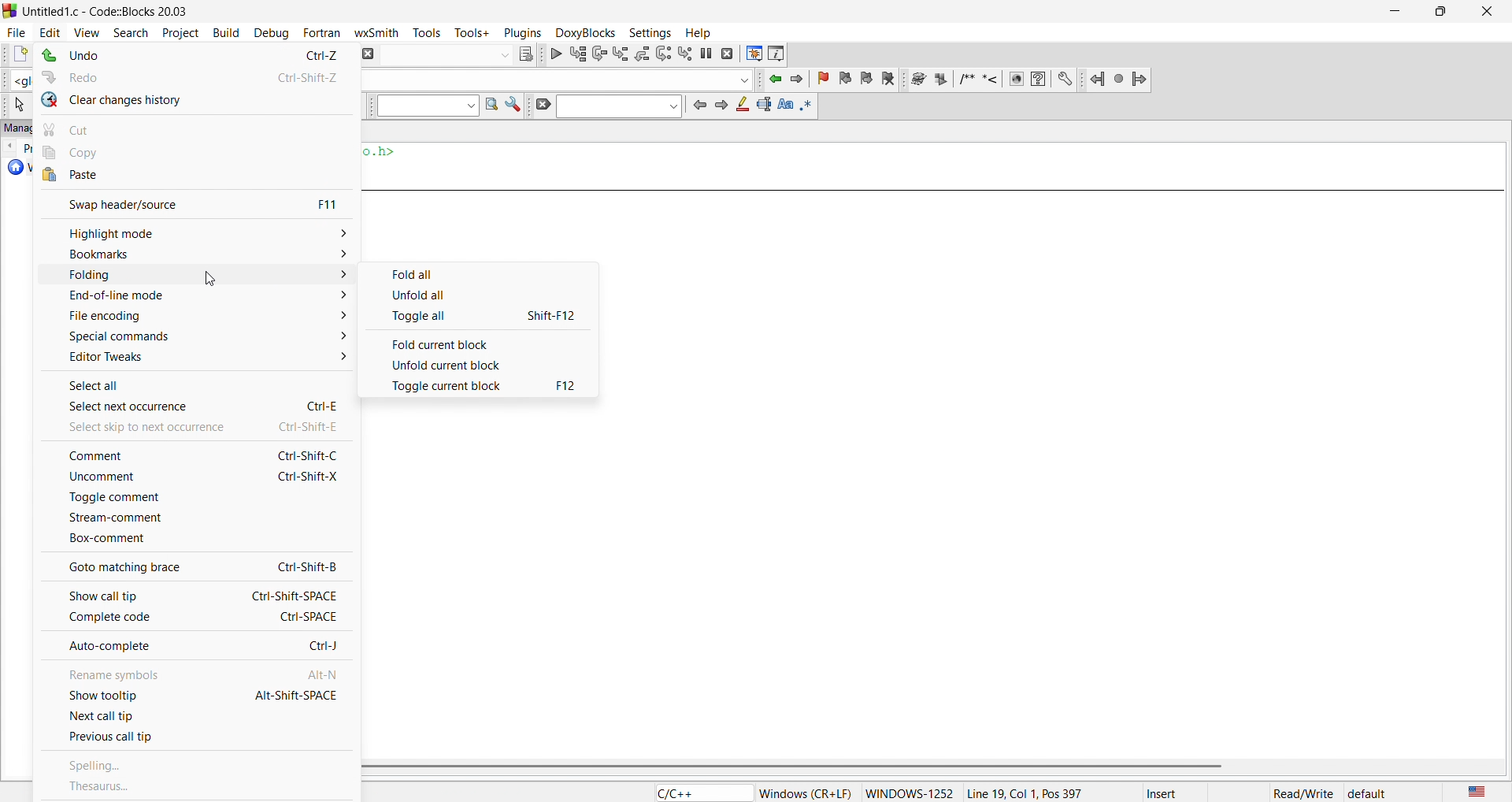 The width and height of the screenshot is (1512, 802). Describe the element at coordinates (319, 32) in the screenshot. I see `fortran` at that location.